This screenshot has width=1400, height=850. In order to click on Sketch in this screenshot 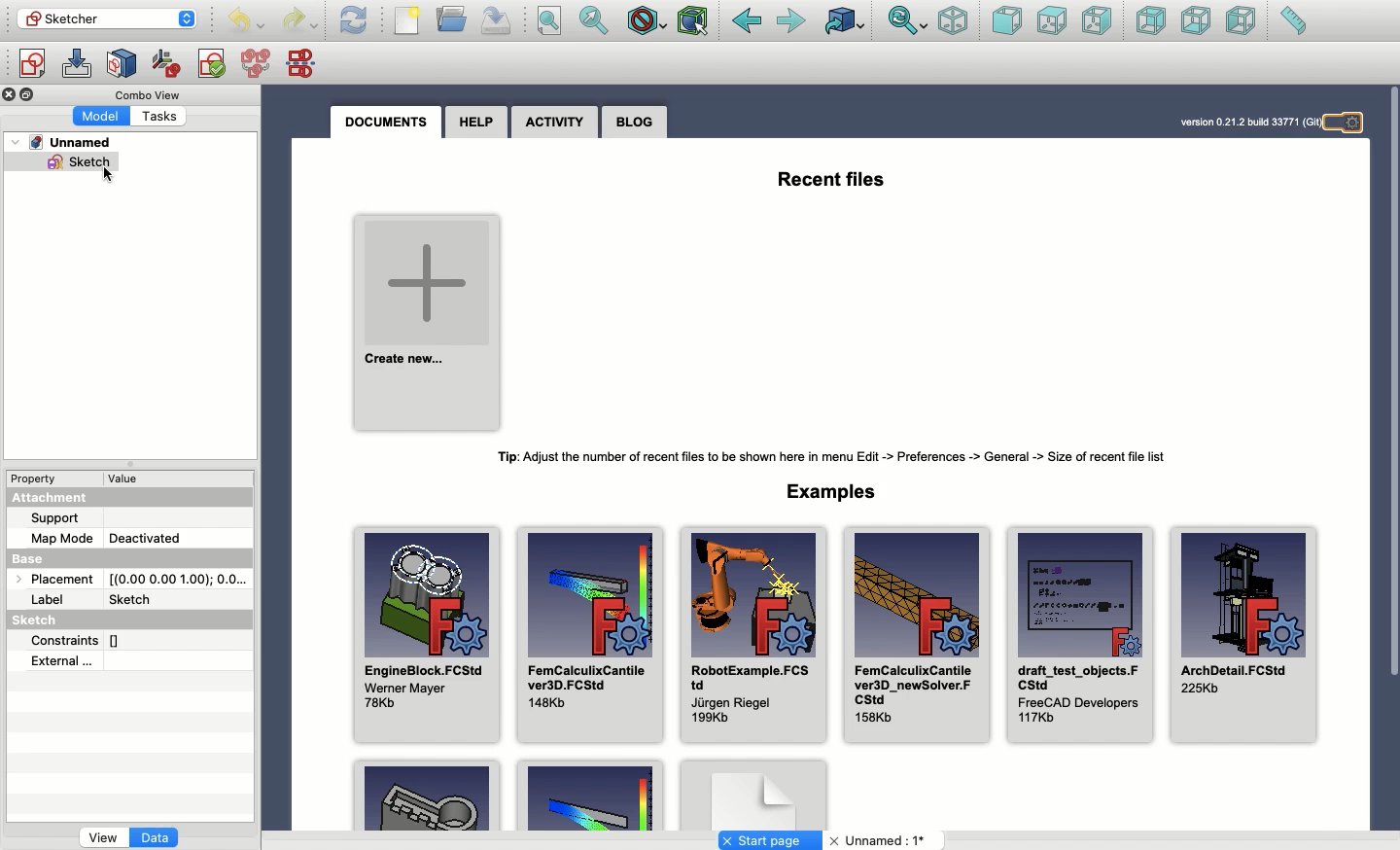, I will do `click(85, 164)`.